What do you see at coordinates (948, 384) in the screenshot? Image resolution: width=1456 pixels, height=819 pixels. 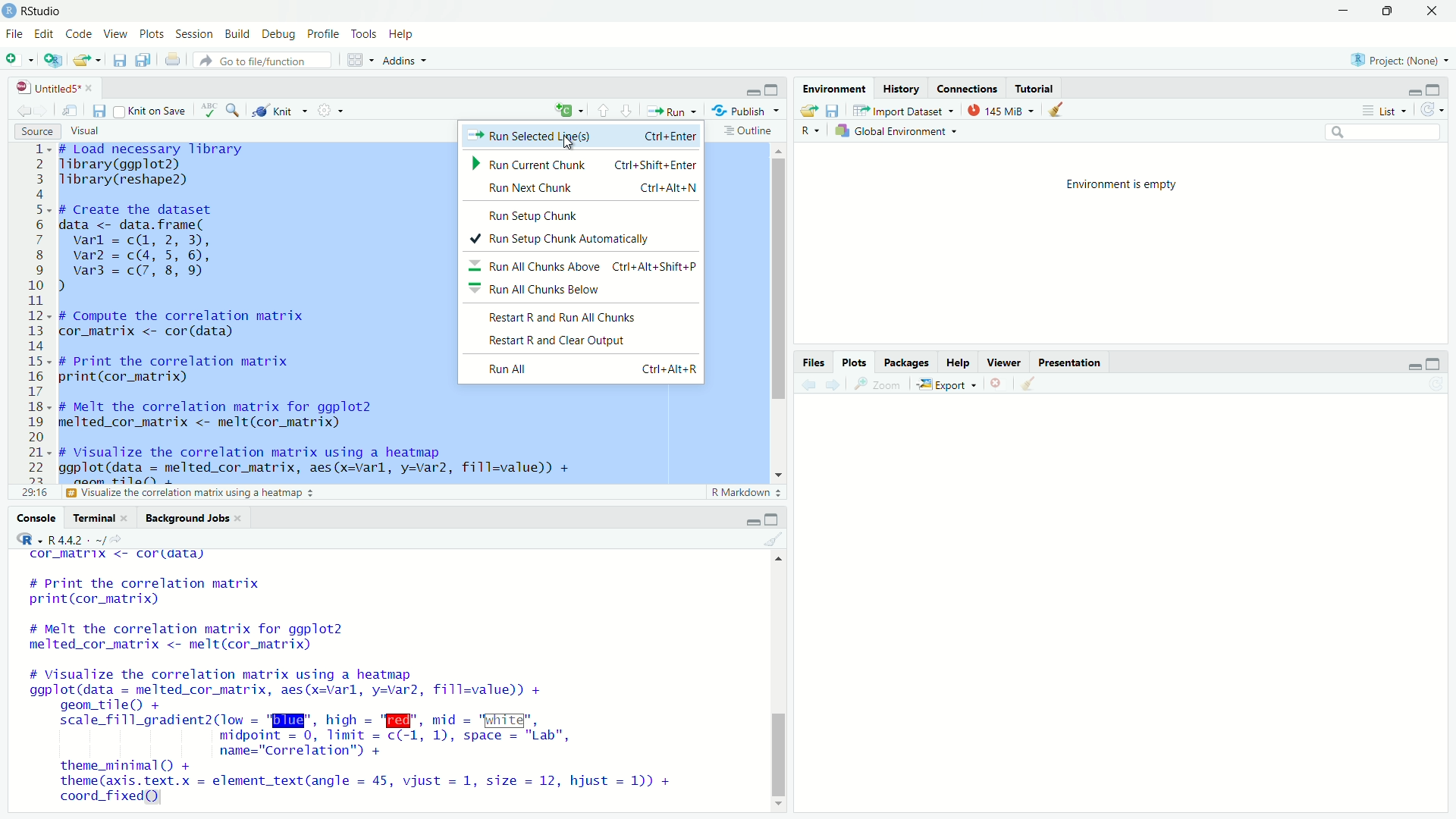 I see `export` at bounding box center [948, 384].